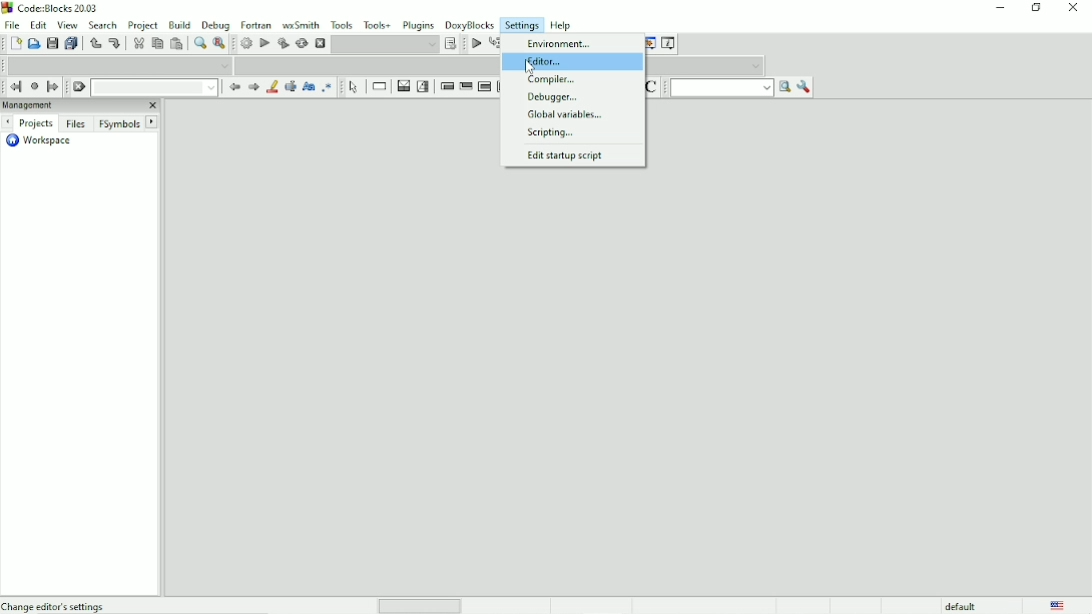 The height and width of the screenshot is (614, 1092). What do you see at coordinates (565, 115) in the screenshot?
I see `Global variables` at bounding box center [565, 115].